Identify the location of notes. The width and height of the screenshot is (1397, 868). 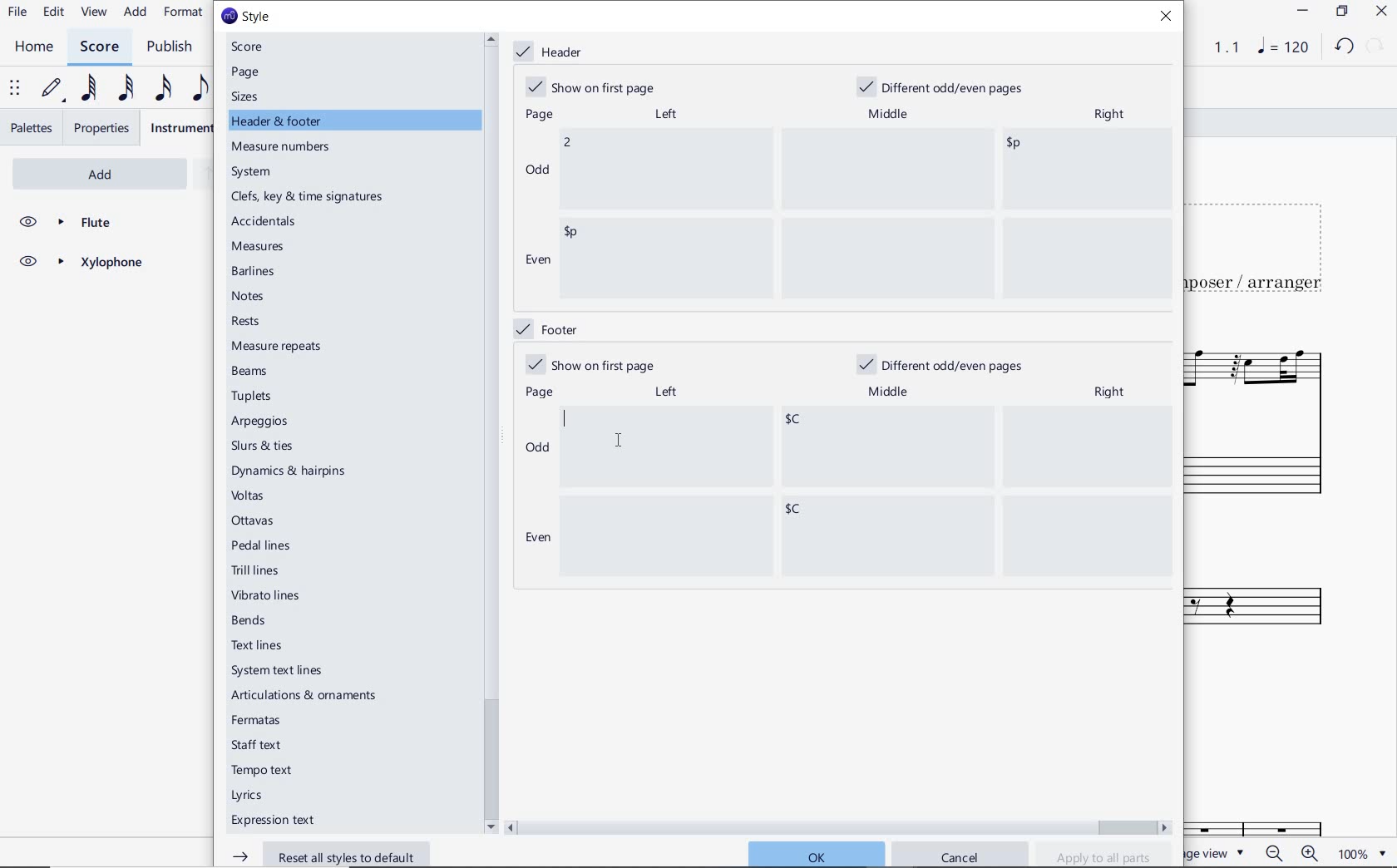
(249, 296).